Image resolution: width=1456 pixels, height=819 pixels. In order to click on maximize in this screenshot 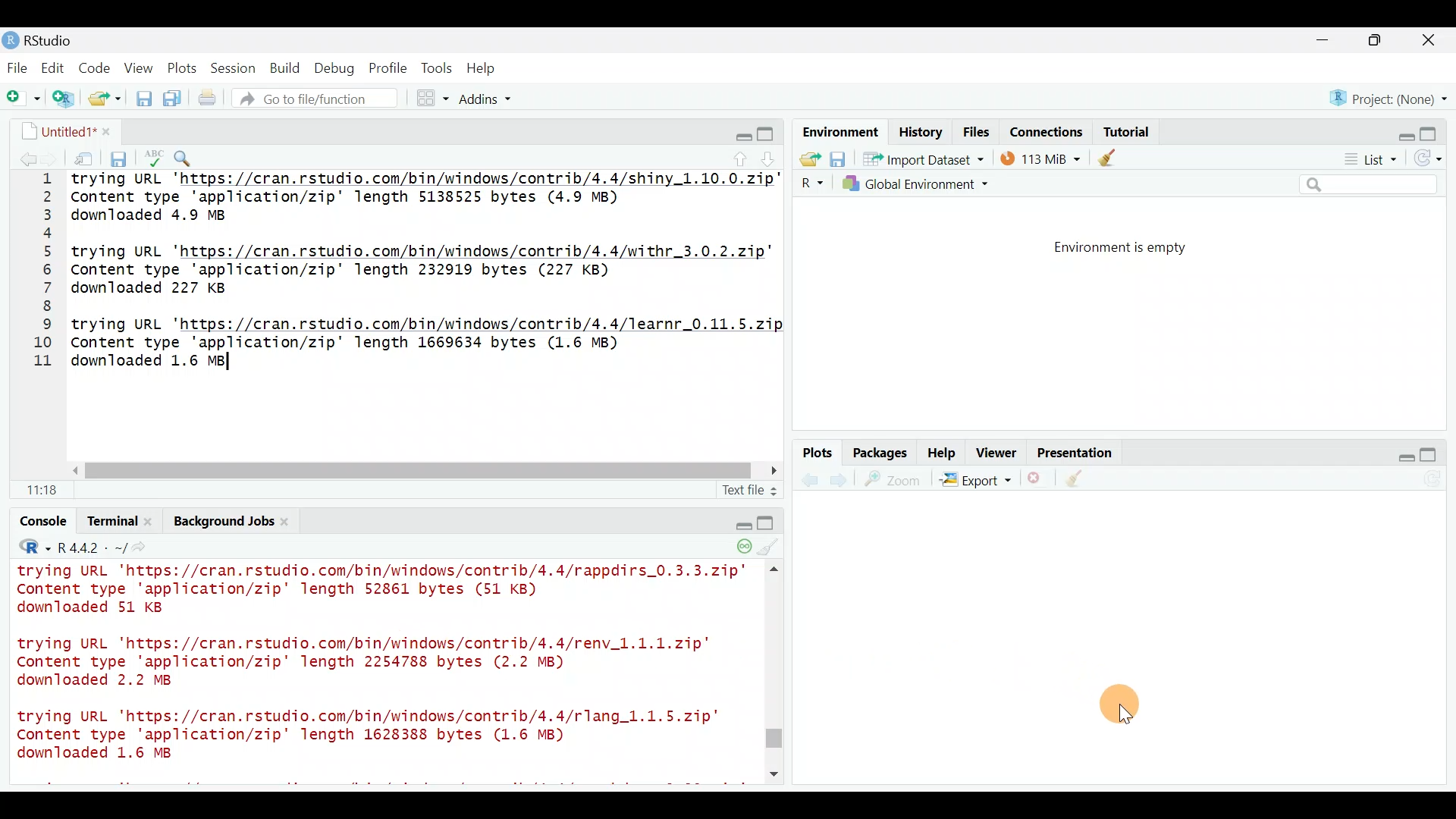, I will do `click(761, 521)`.